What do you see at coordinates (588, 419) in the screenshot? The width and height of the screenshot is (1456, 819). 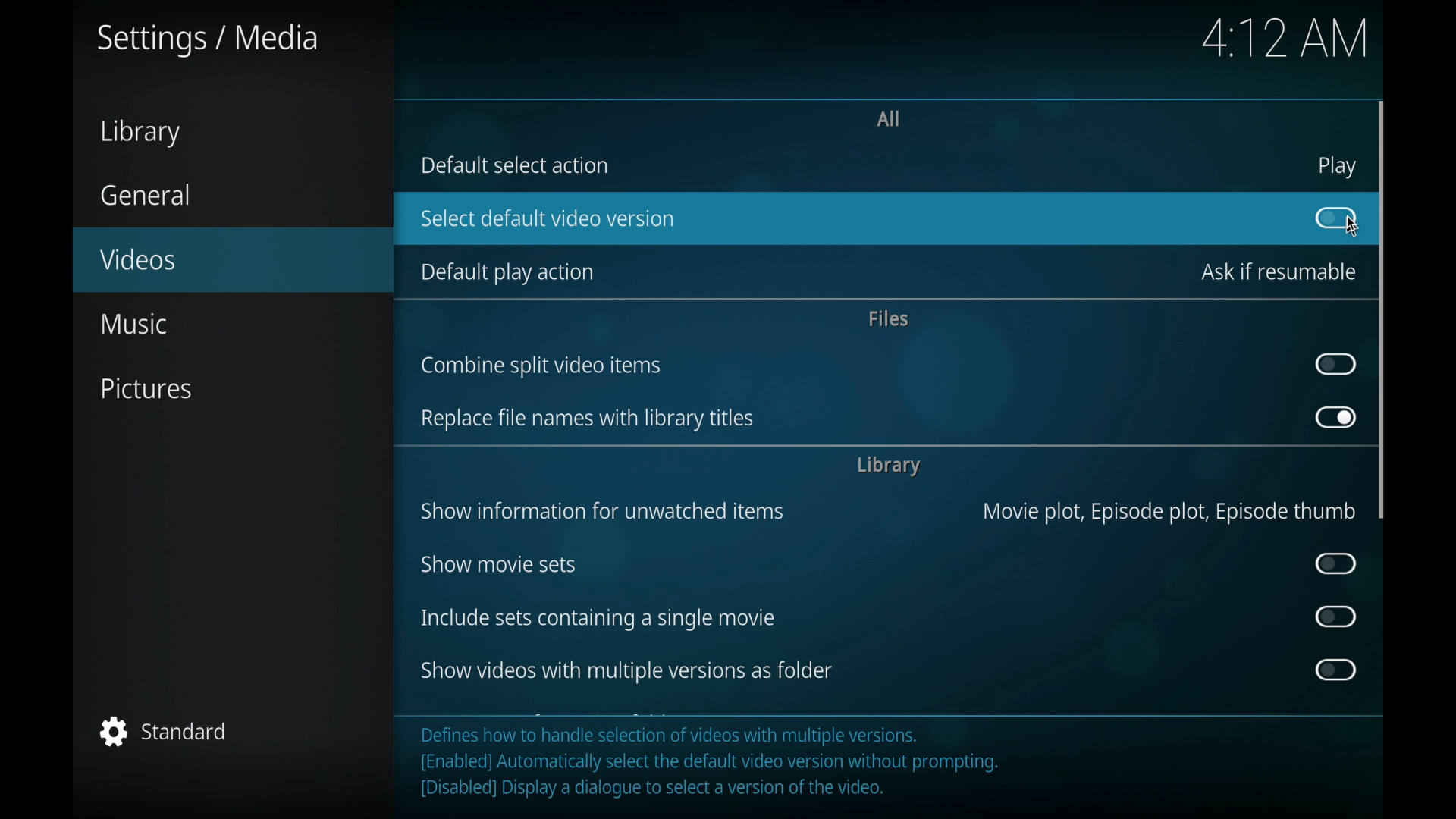 I see `replace file names with library titles` at bounding box center [588, 419].